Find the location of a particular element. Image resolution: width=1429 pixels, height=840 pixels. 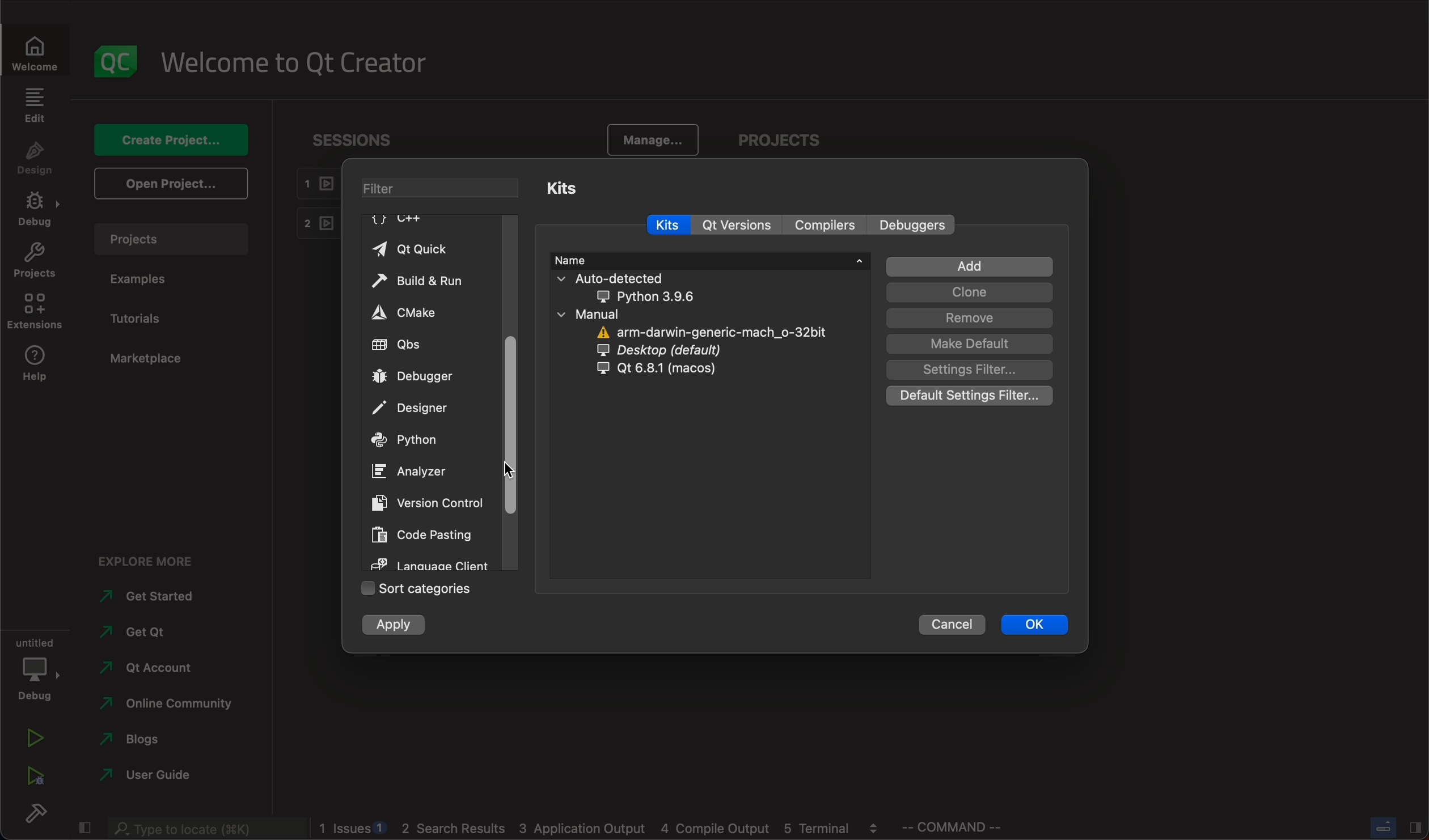

sort  is located at coordinates (418, 588).